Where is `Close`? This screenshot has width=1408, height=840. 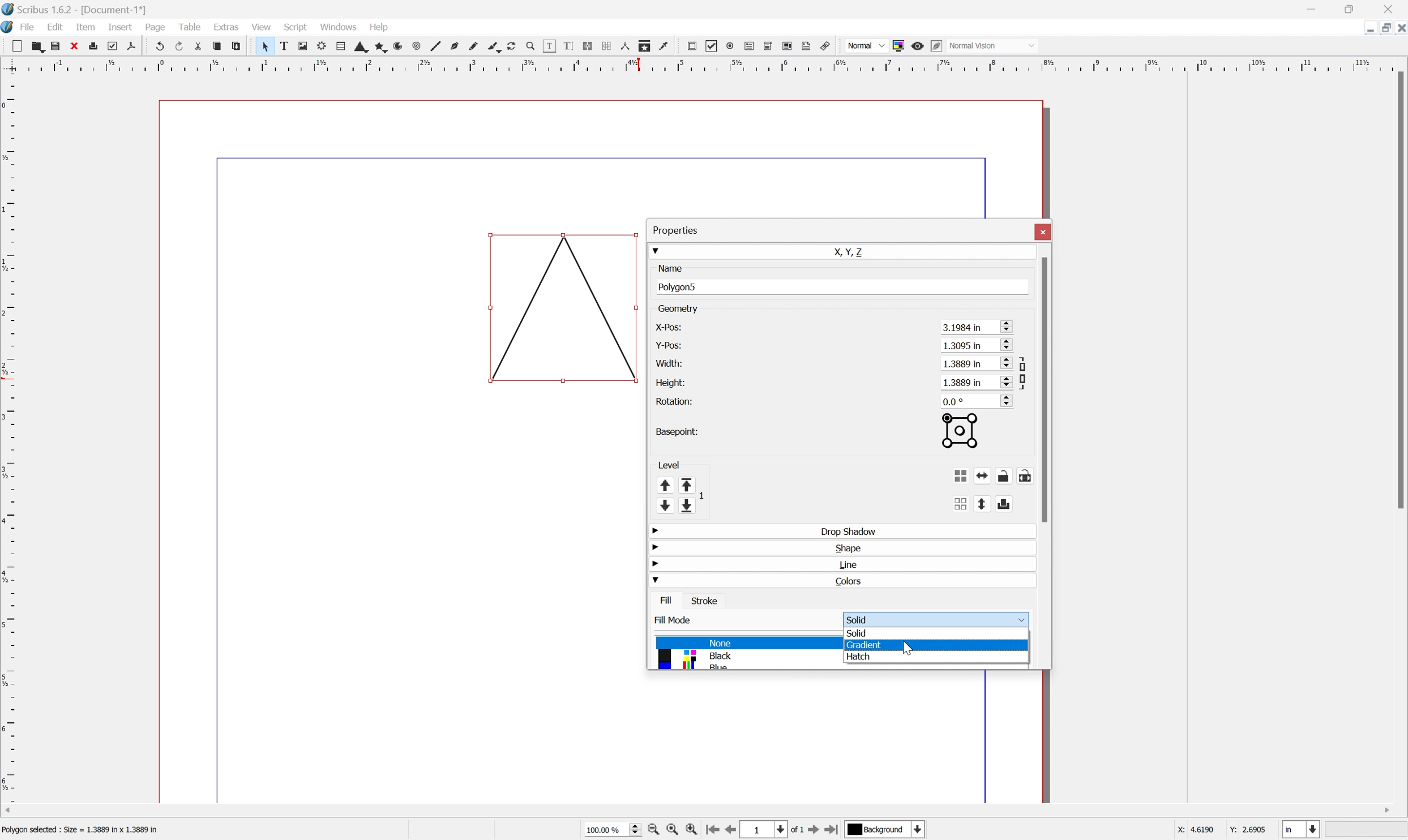
Close is located at coordinates (1399, 29).